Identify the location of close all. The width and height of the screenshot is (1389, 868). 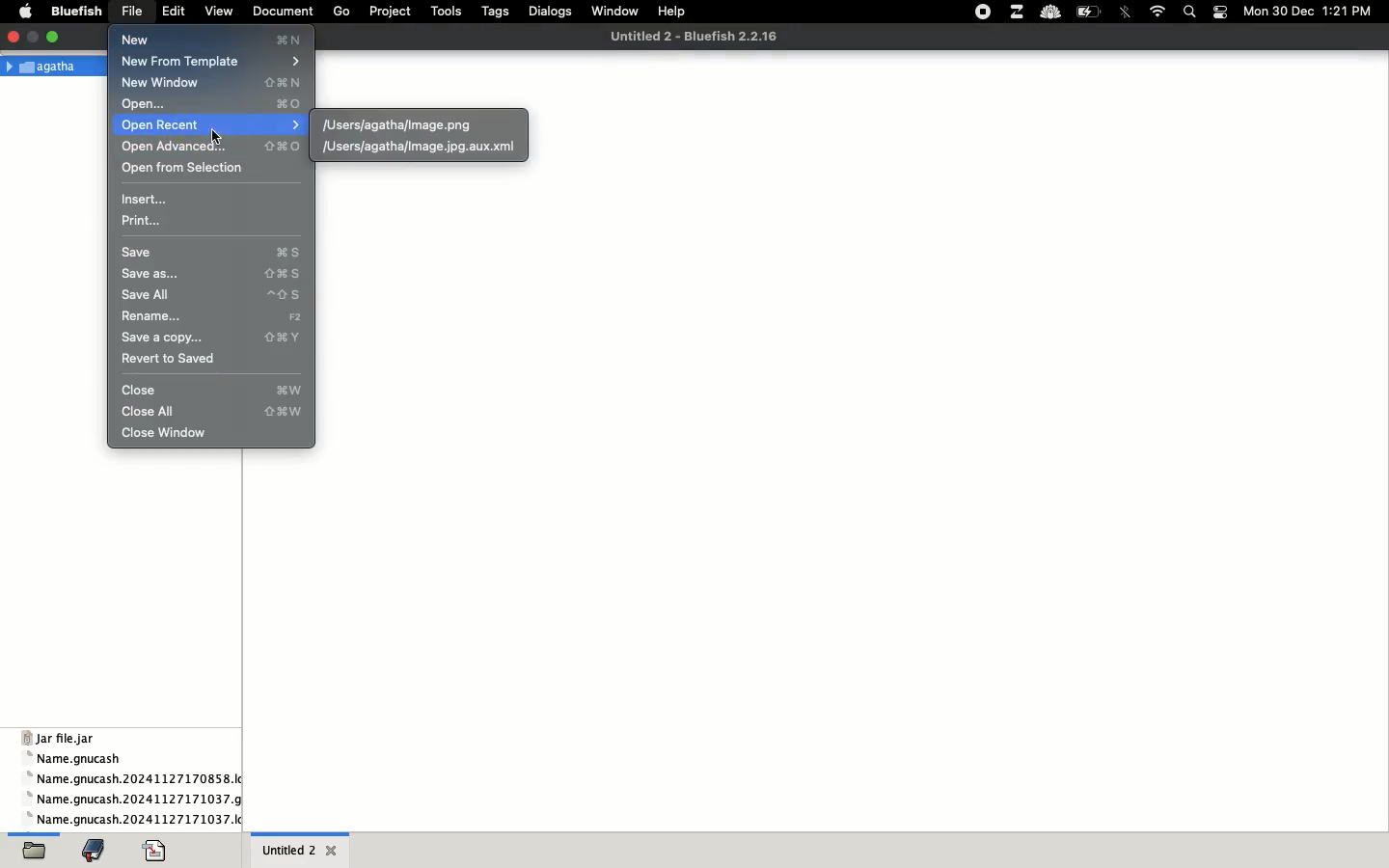
(215, 411).